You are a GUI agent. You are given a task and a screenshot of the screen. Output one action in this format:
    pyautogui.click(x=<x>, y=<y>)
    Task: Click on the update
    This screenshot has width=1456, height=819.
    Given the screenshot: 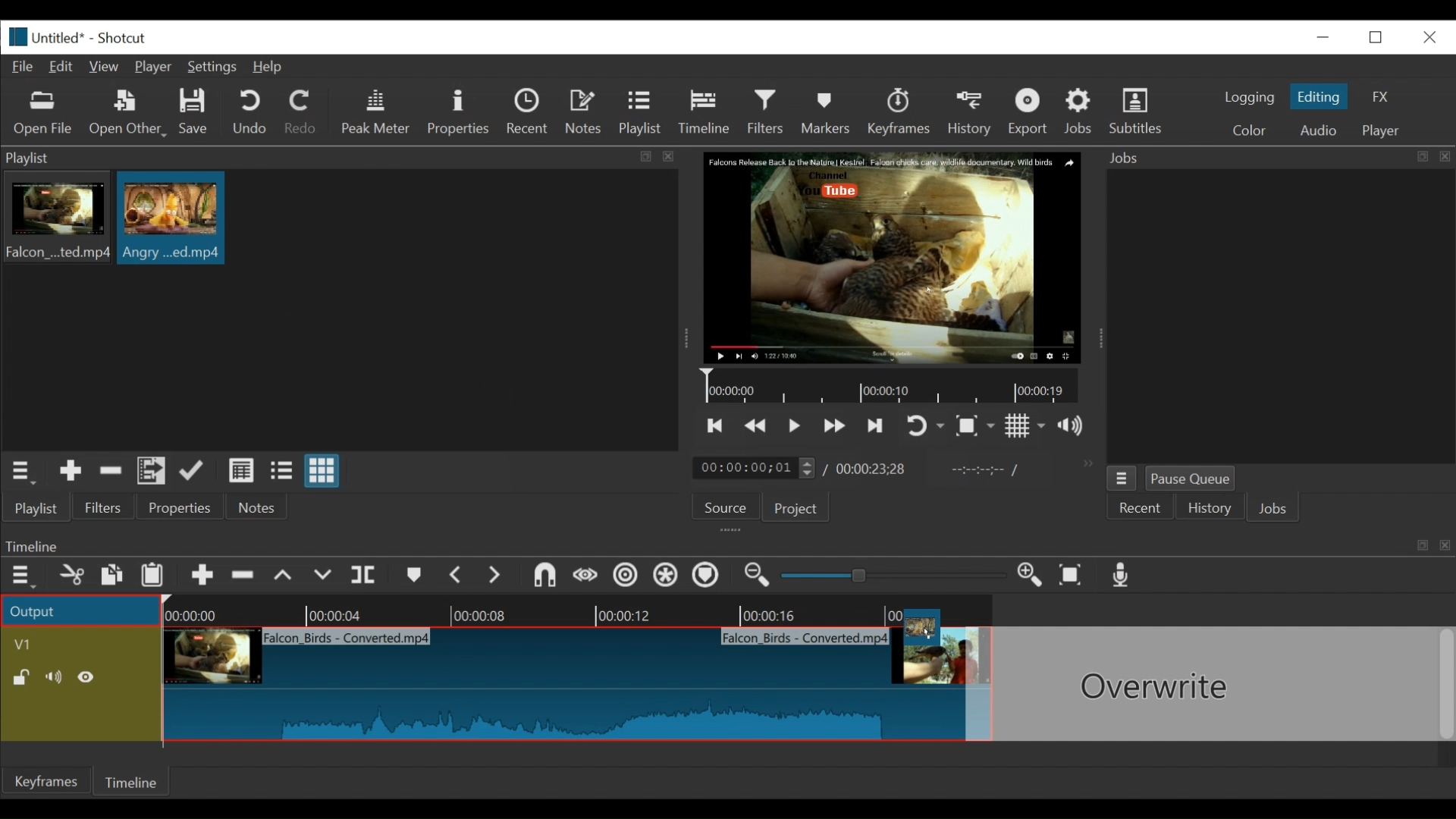 What is the action you would take?
    pyautogui.click(x=195, y=474)
    